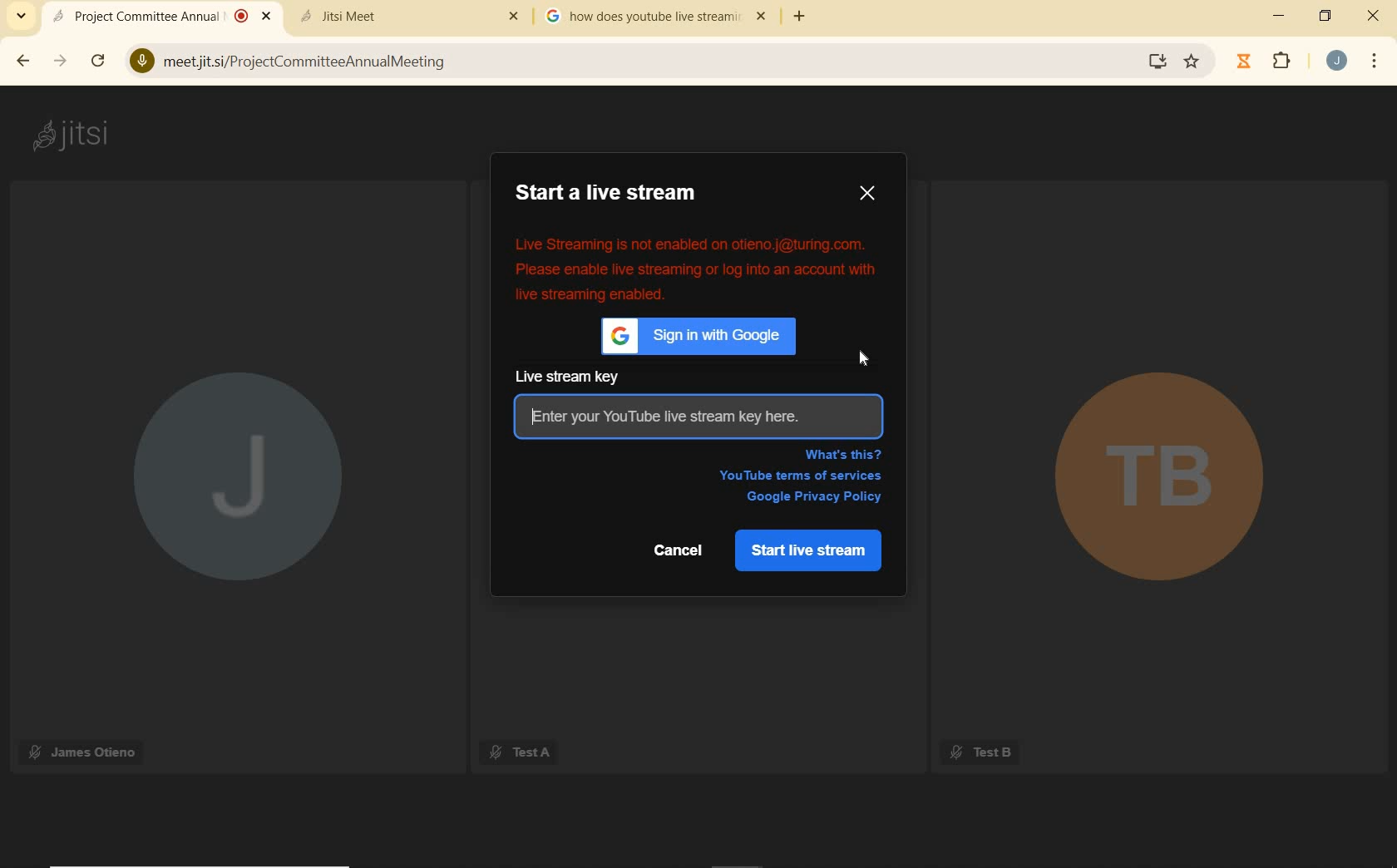  Describe the element at coordinates (1278, 17) in the screenshot. I see `minimize` at that location.